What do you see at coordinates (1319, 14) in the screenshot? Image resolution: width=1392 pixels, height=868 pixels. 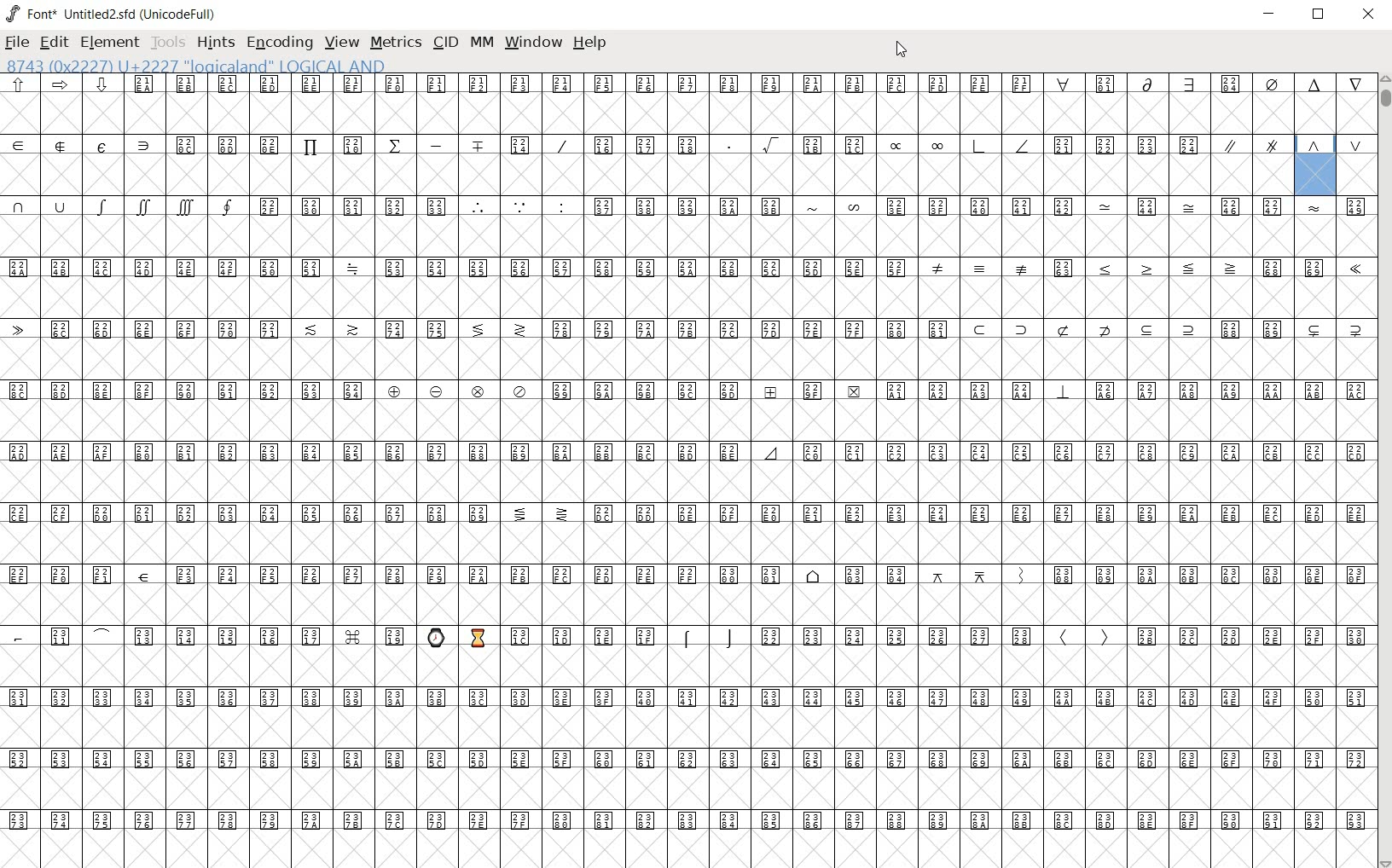 I see `restore` at bounding box center [1319, 14].